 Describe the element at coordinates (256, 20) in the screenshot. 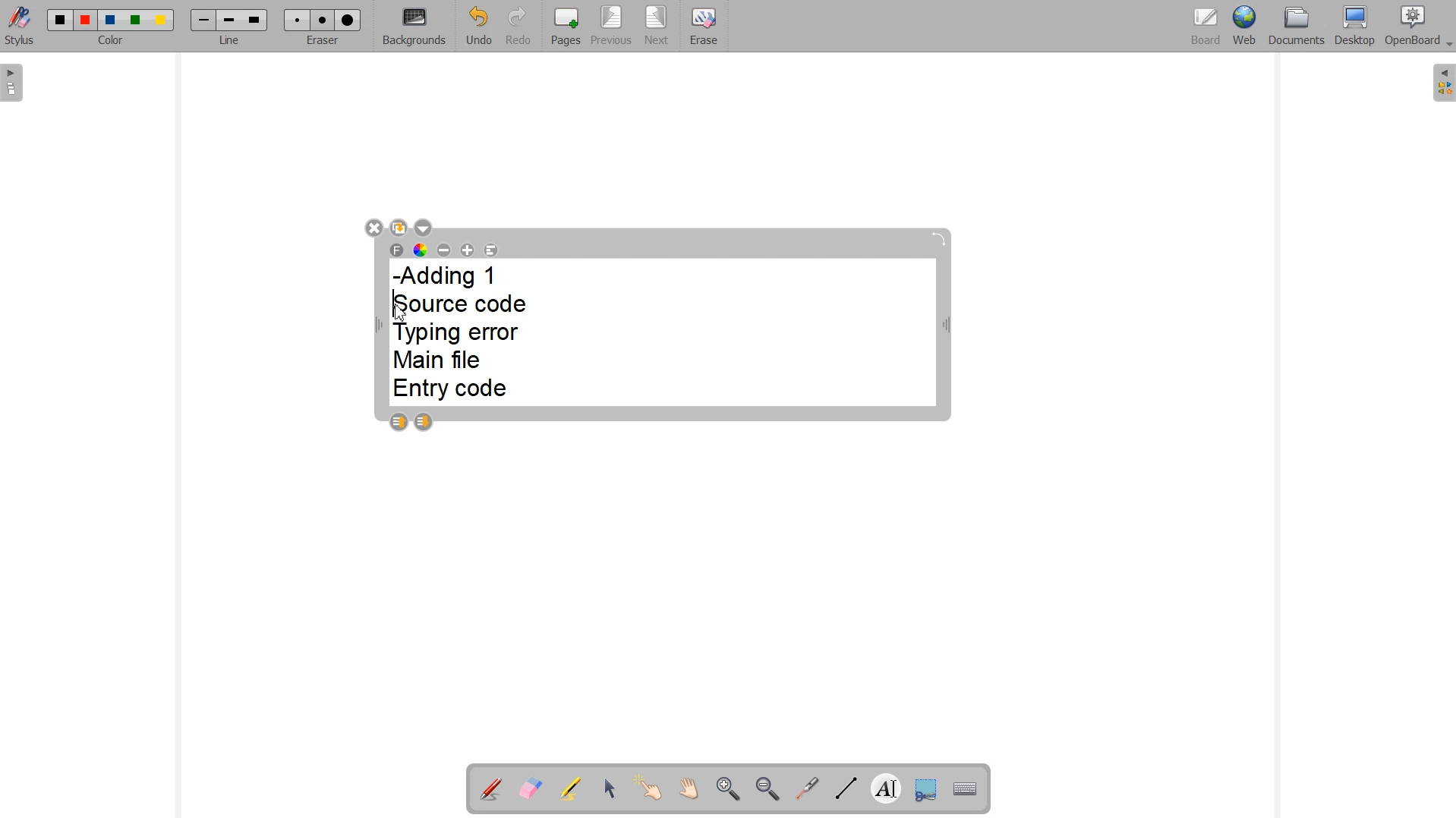

I see `Large line` at that location.